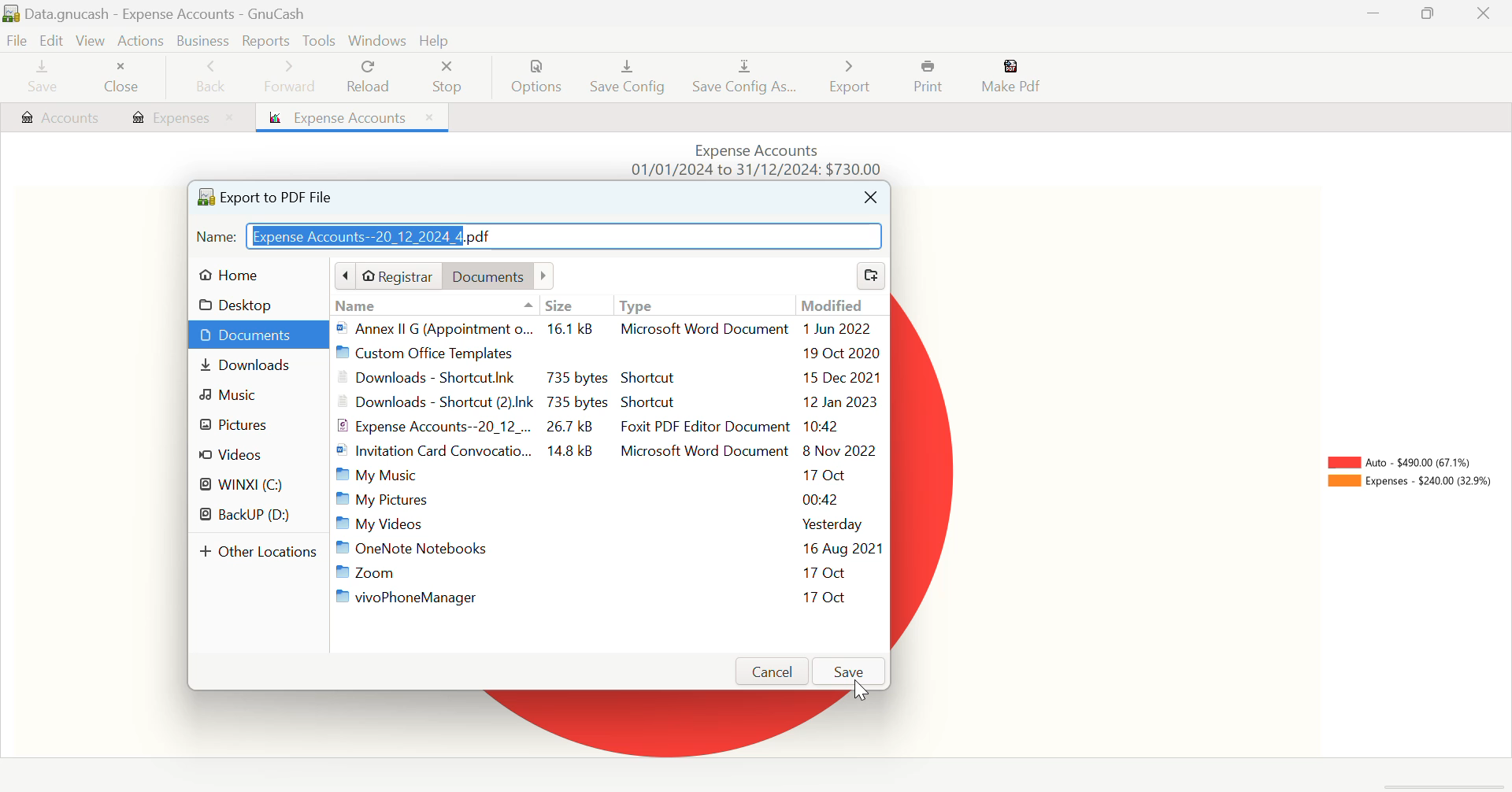 Image resolution: width=1512 pixels, height=792 pixels. I want to click on Piechart Key, so click(1409, 476).